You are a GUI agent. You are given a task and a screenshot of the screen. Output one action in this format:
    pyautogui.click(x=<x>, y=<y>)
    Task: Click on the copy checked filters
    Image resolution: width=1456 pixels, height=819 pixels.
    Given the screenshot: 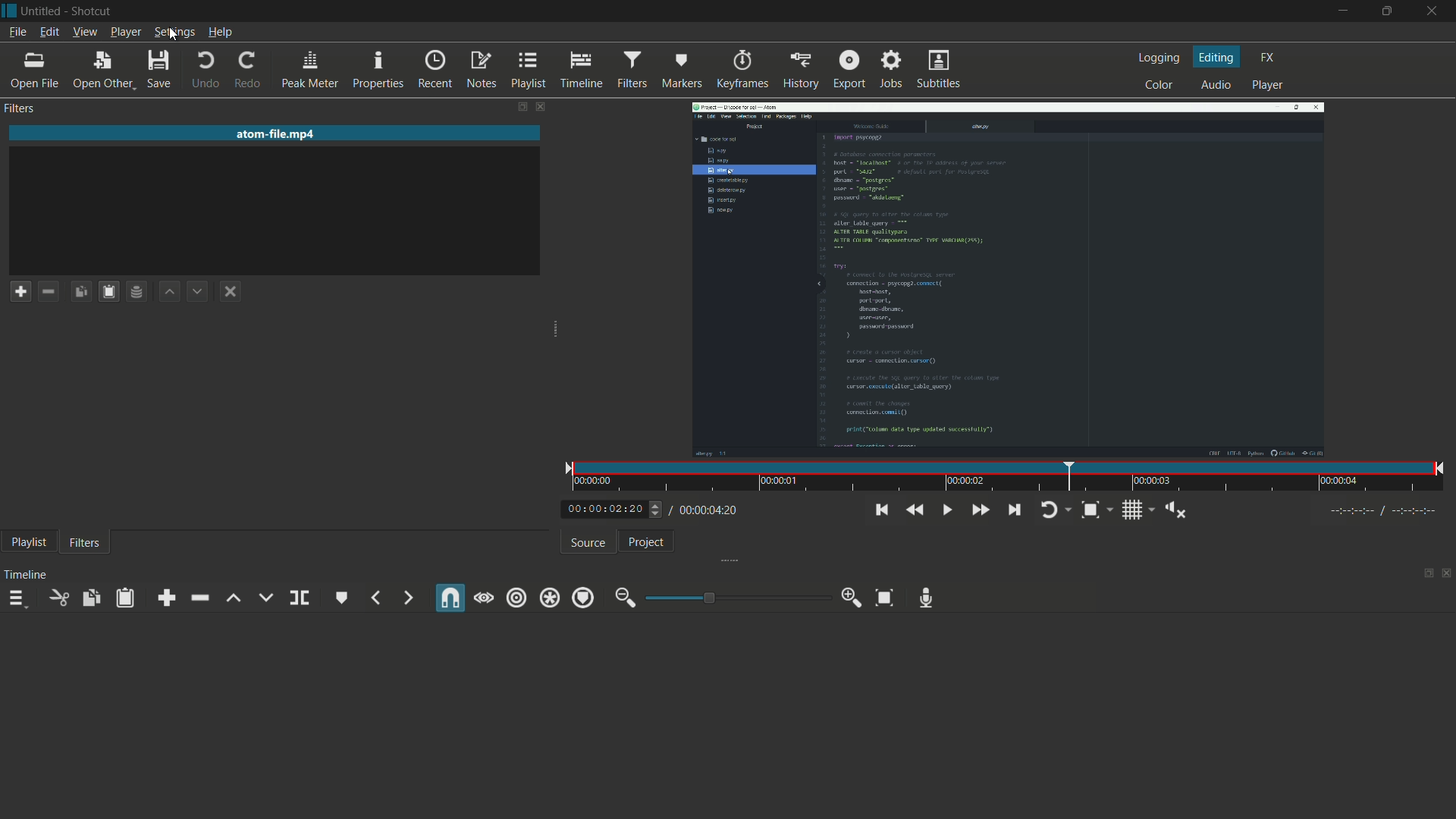 What is the action you would take?
    pyautogui.click(x=80, y=290)
    